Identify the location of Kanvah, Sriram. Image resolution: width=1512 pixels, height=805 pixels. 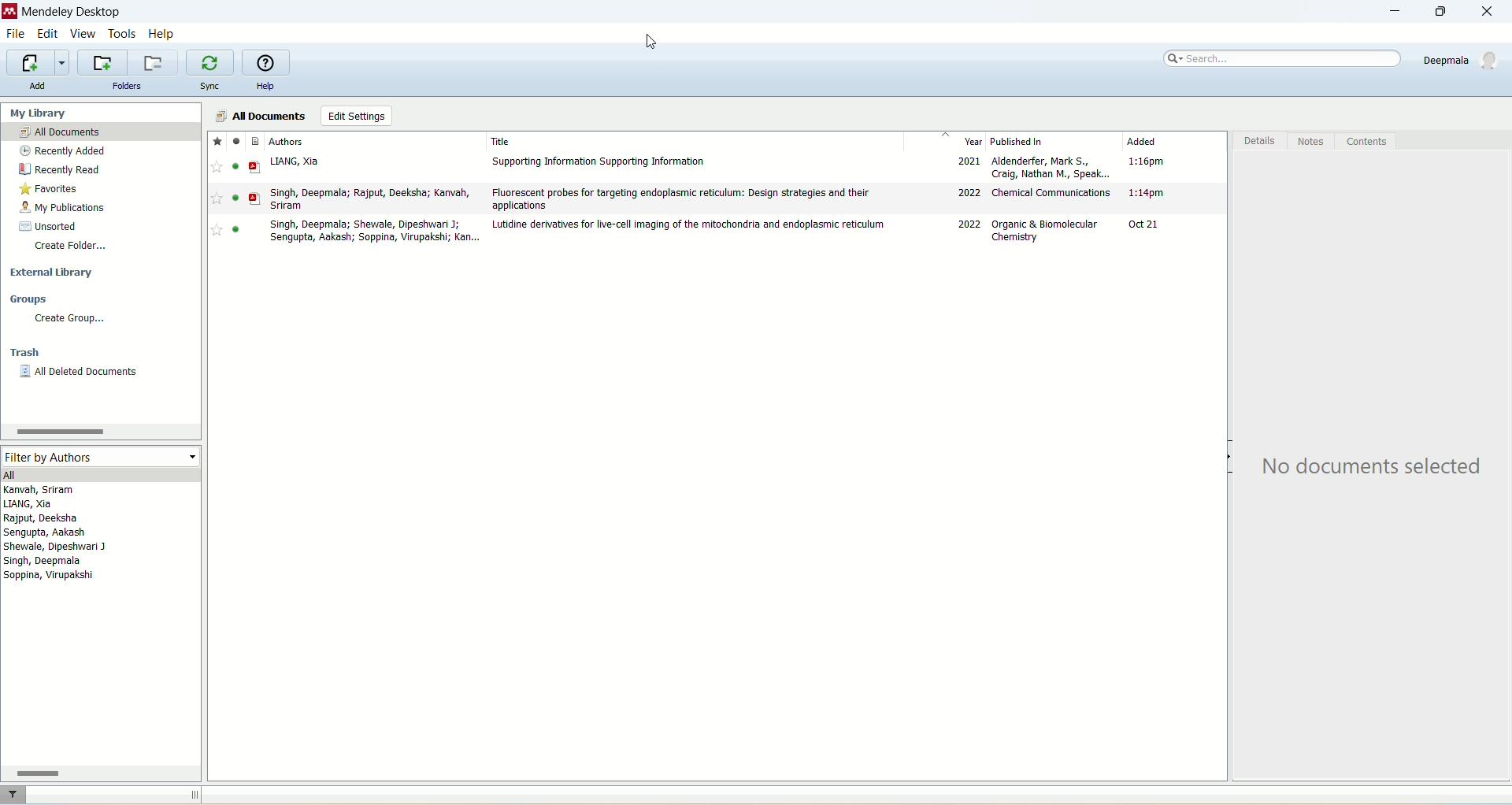
(46, 490).